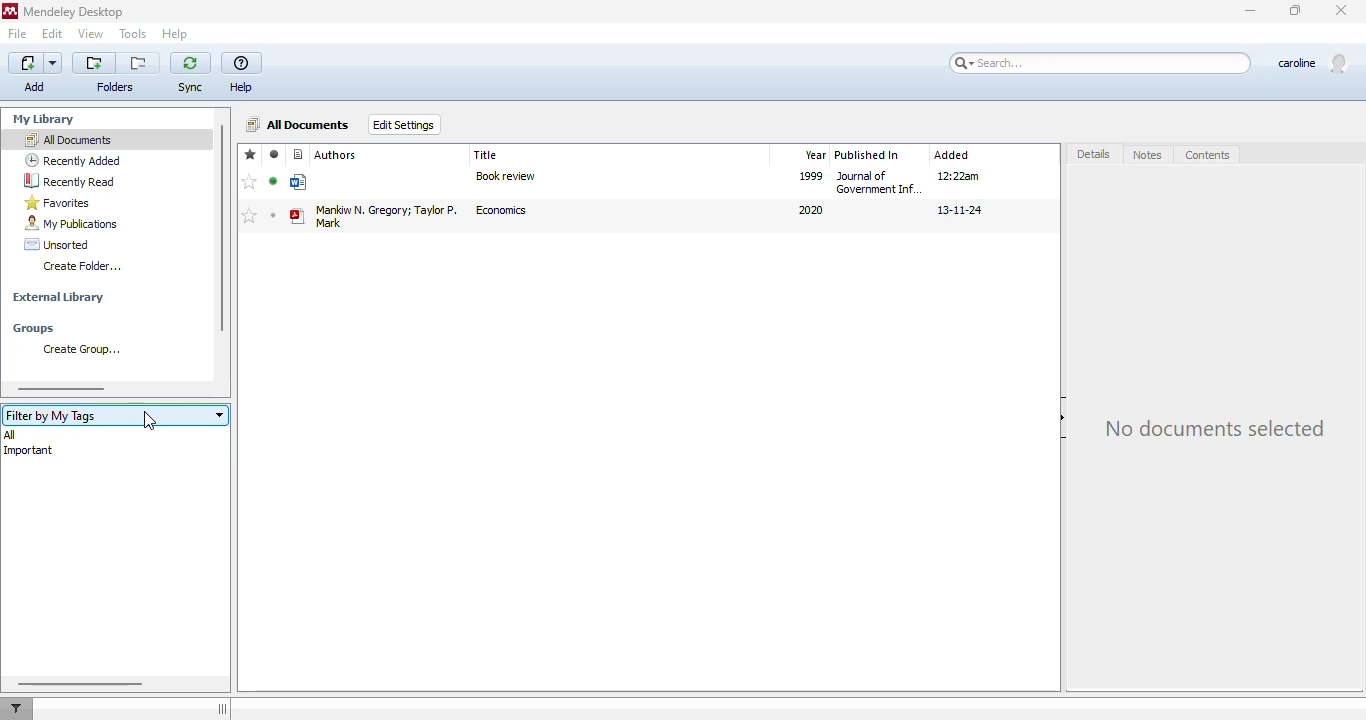 This screenshot has height=720, width=1366. I want to click on recently added, so click(73, 160).